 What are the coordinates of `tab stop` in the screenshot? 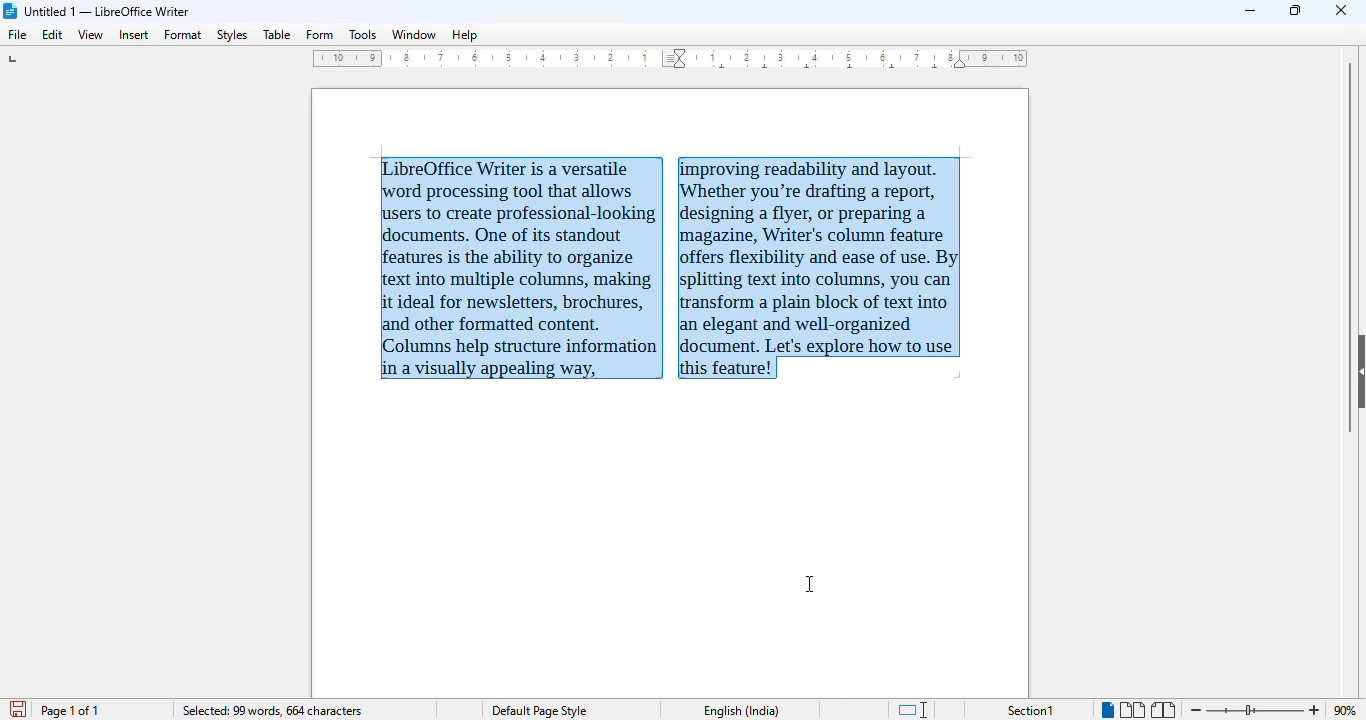 It's located at (15, 59).